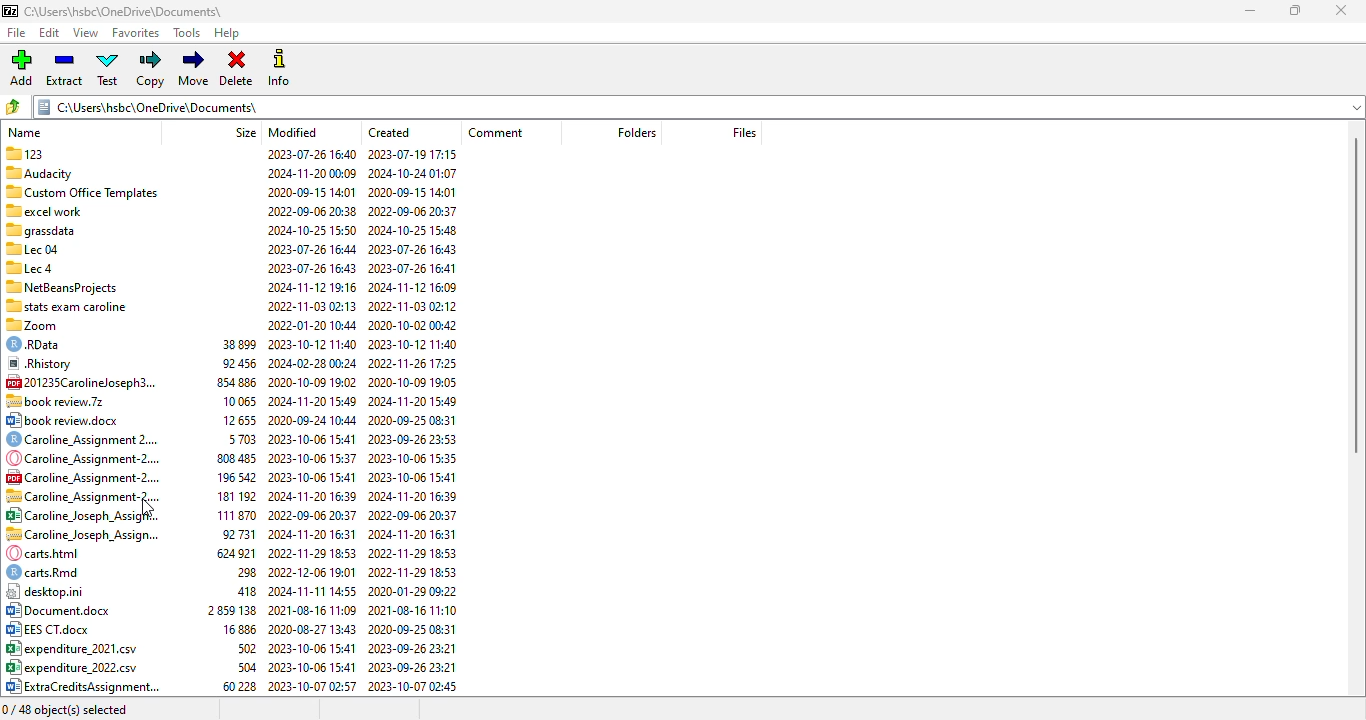 Image resolution: width=1366 pixels, height=720 pixels. Describe the element at coordinates (230, 190) in the screenshot. I see `‘3 Custom Office Templates 2020-09-15 14:01 2020-09-15 14:01` at that location.